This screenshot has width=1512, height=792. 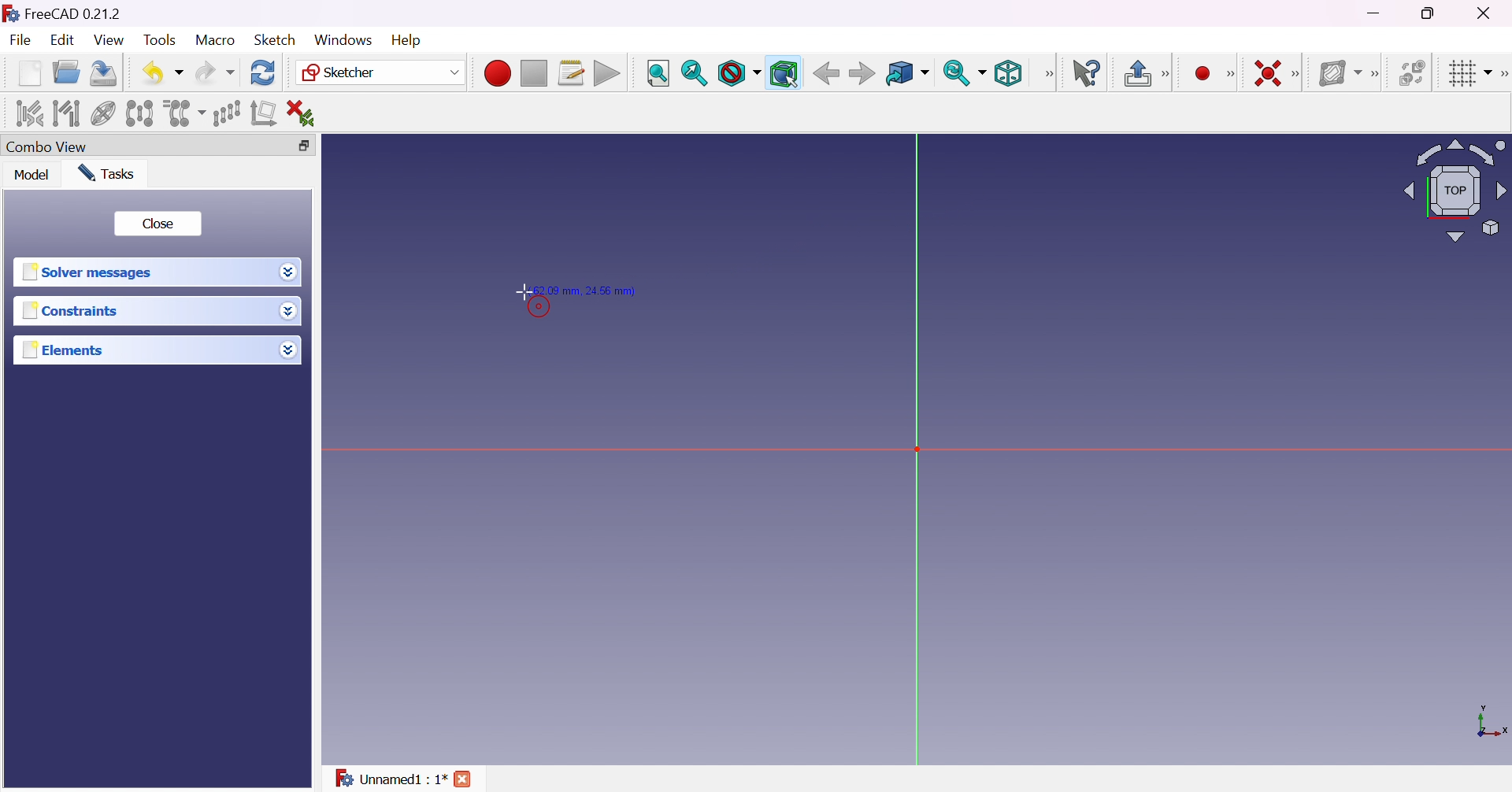 What do you see at coordinates (497, 71) in the screenshot?
I see `Macro recording...` at bounding box center [497, 71].